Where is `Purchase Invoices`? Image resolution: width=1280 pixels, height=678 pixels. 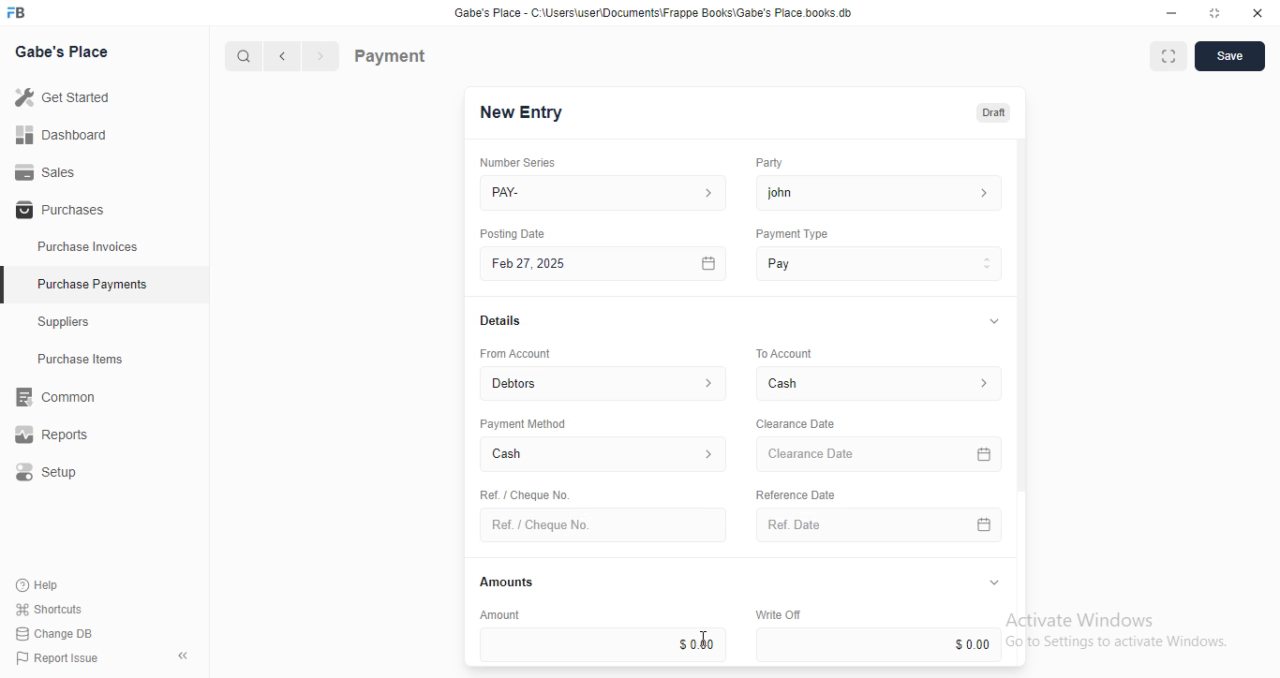
Purchase Invoices is located at coordinates (88, 247).